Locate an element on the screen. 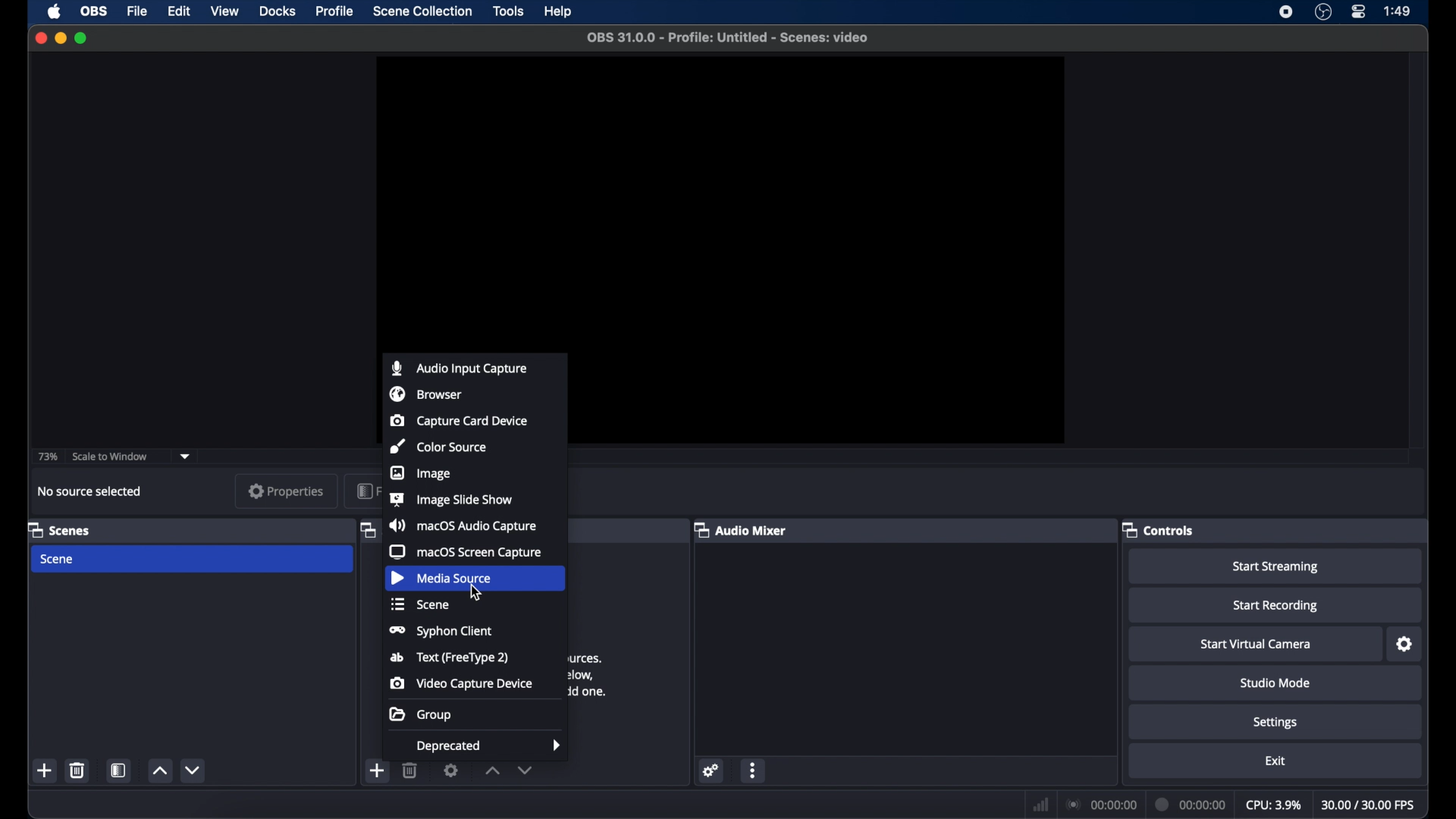  increment is located at coordinates (491, 770).